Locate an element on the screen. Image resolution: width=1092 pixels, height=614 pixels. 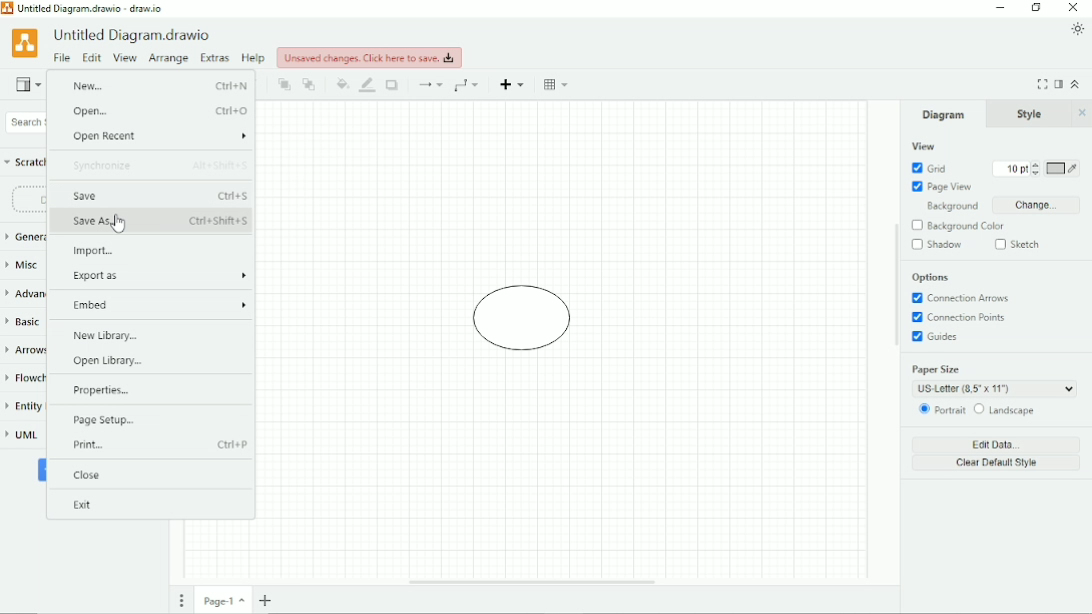
Vertical Scroll Bar is located at coordinates (895, 343).